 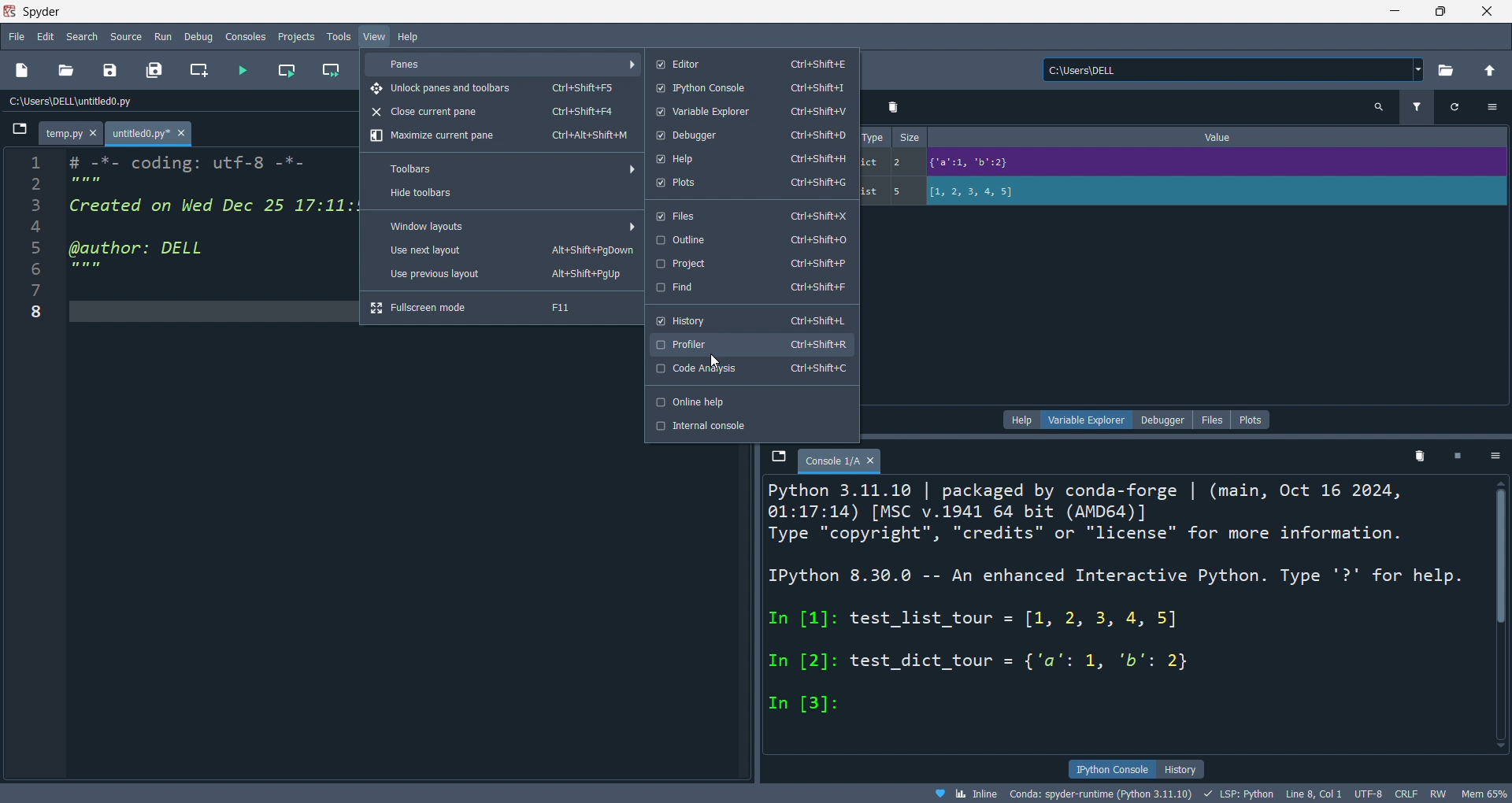 I want to click on Spyder, so click(x=219, y=12).